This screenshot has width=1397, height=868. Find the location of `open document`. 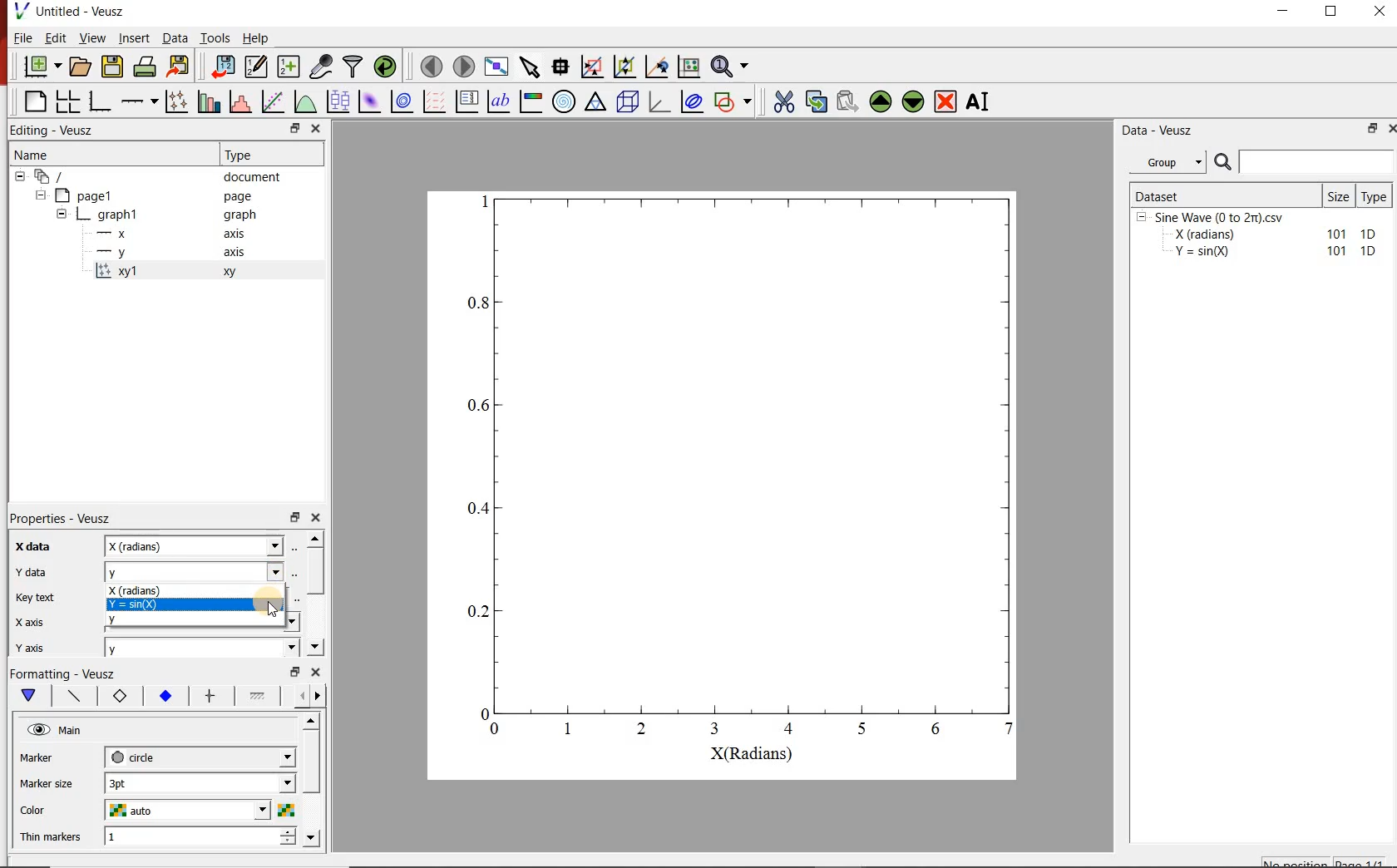

open document is located at coordinates (81, 67).